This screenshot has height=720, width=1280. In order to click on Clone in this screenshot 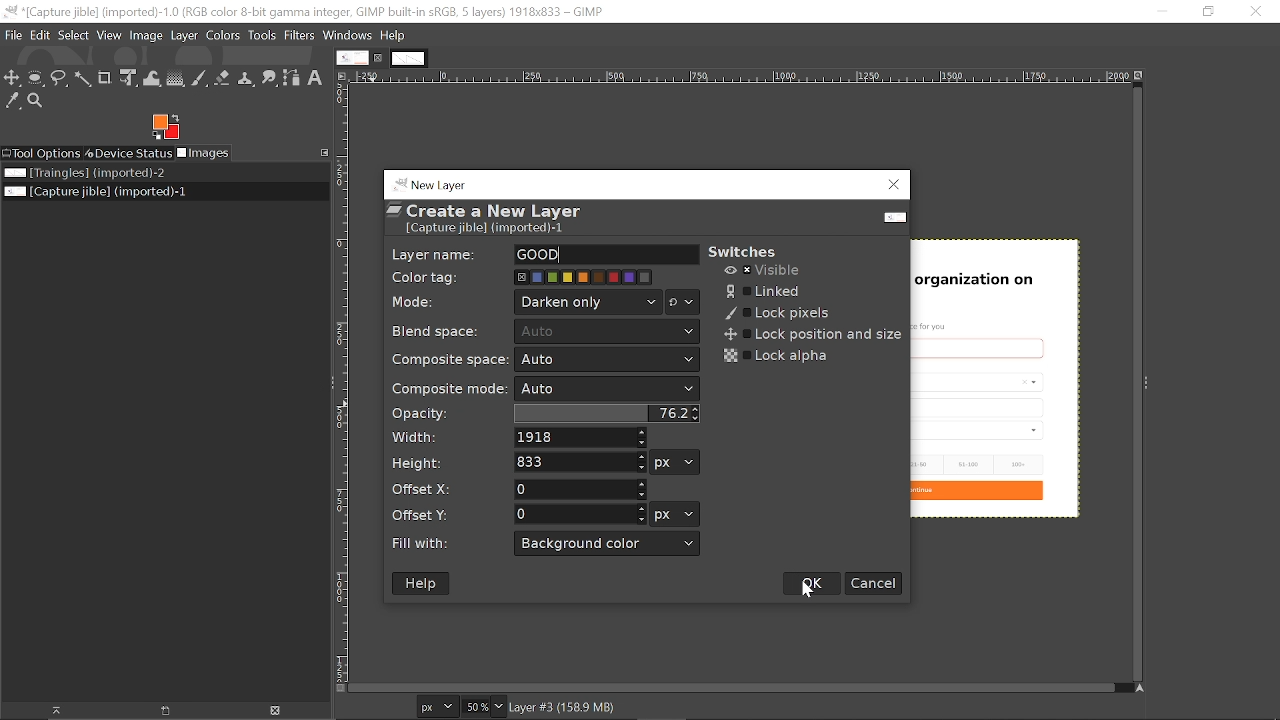, I will do `click(247, 77)`.